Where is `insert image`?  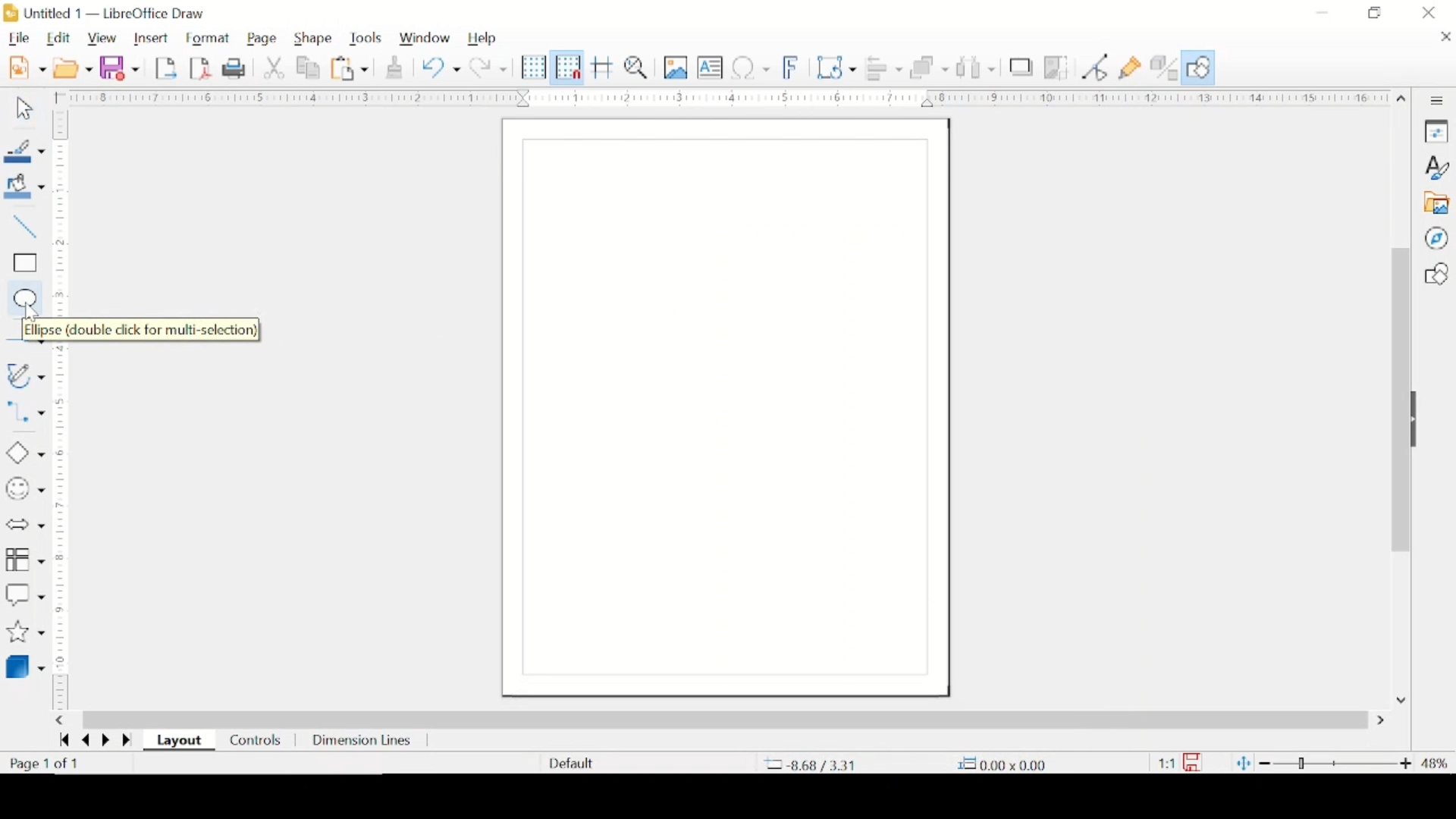
insert image is located at coordinates (676, 68).